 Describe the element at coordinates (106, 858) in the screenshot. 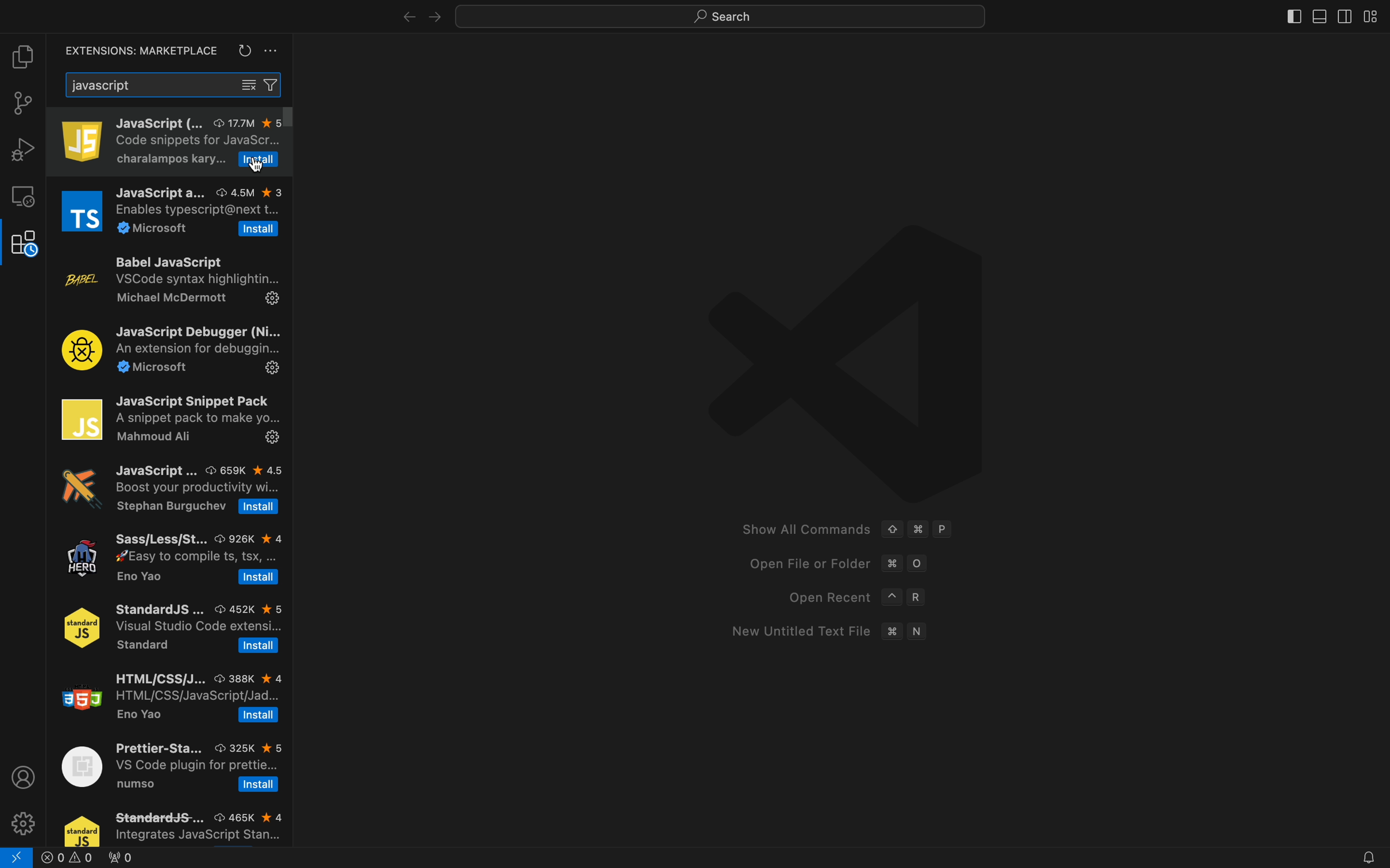

I see `error logs` at that location.